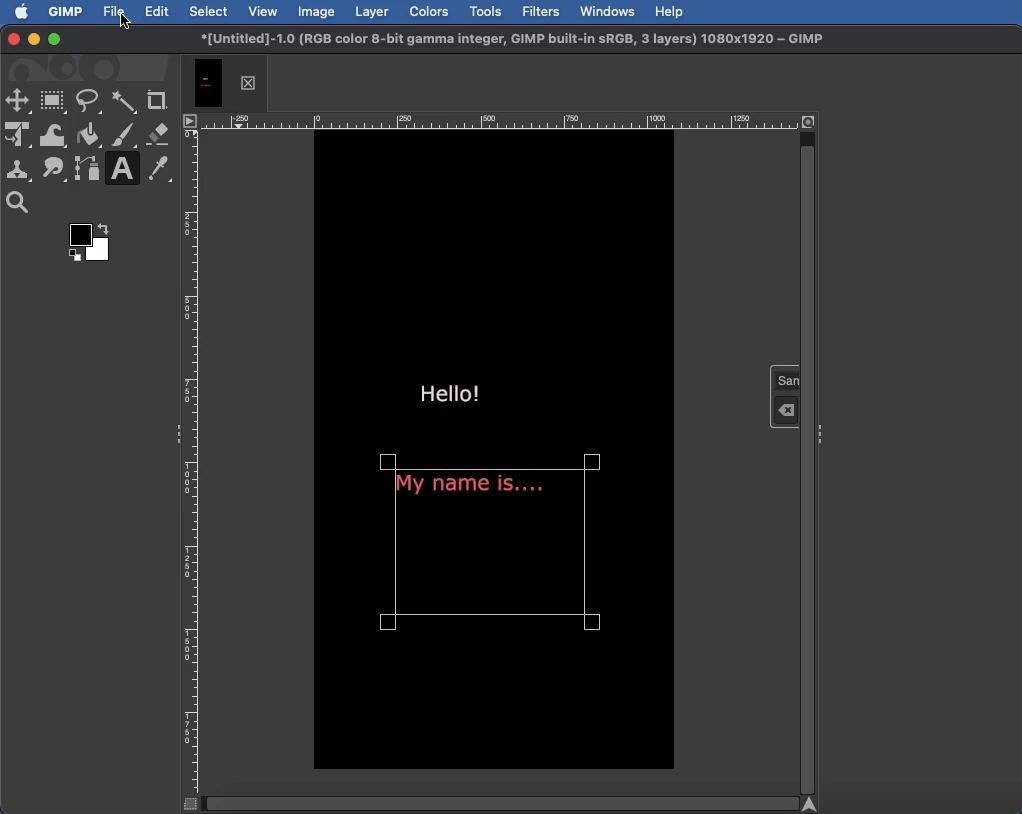  I want to click on Smudge tool, so click(53, 167).